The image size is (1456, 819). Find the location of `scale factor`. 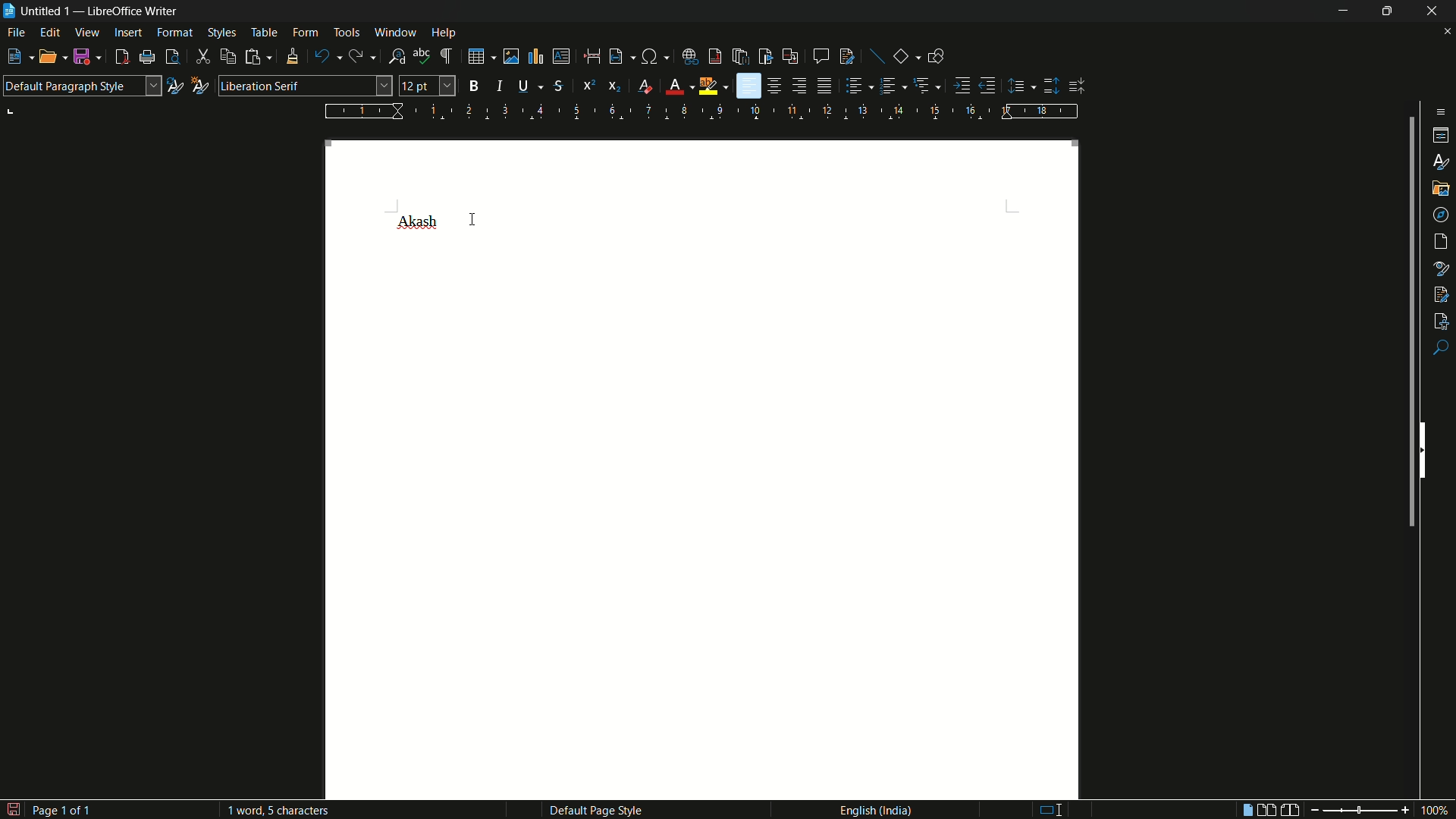

scale factor is located at coordinates (1436, 811).